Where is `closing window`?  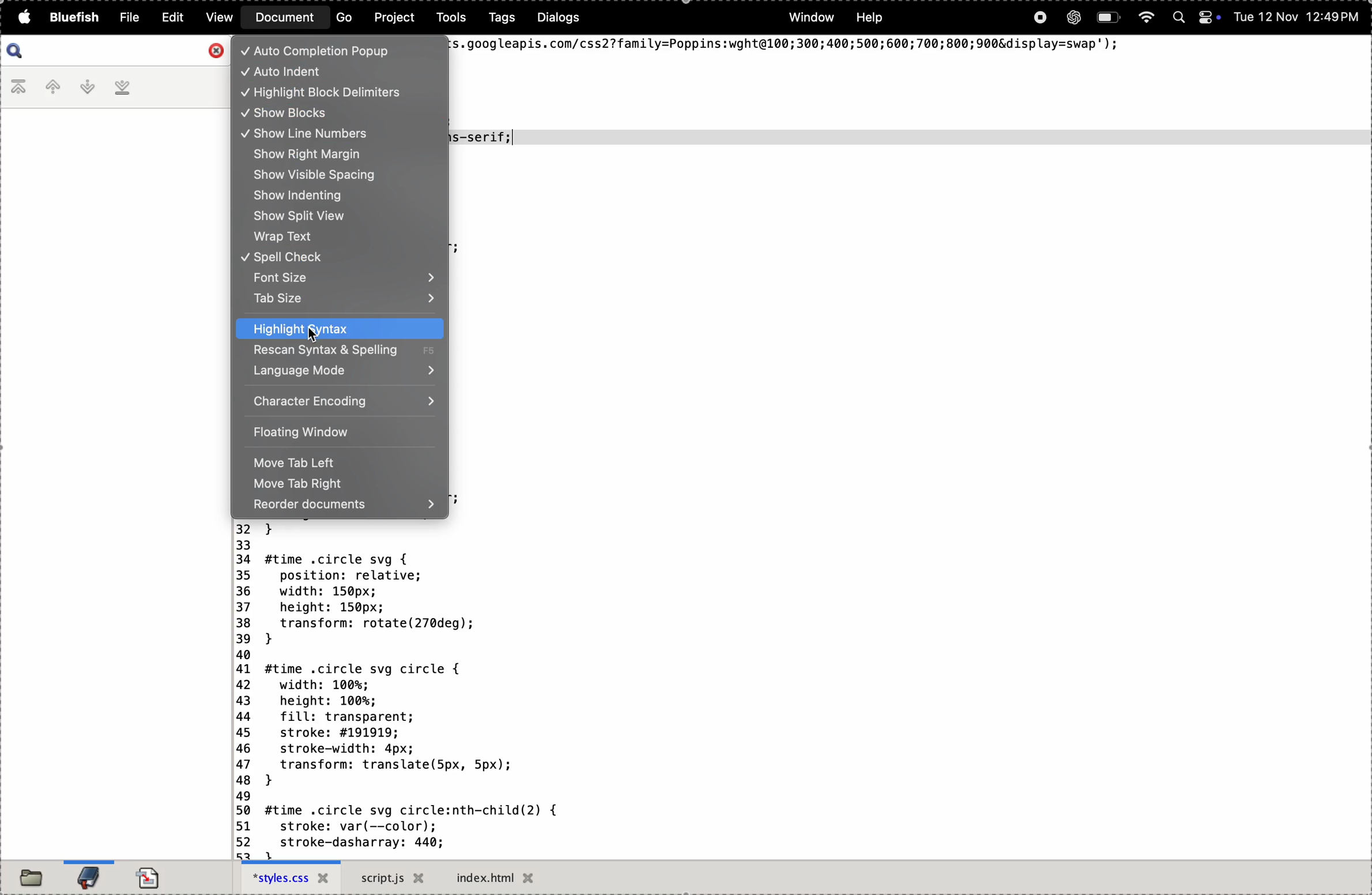
closing window is located at coordinates (216, 49).